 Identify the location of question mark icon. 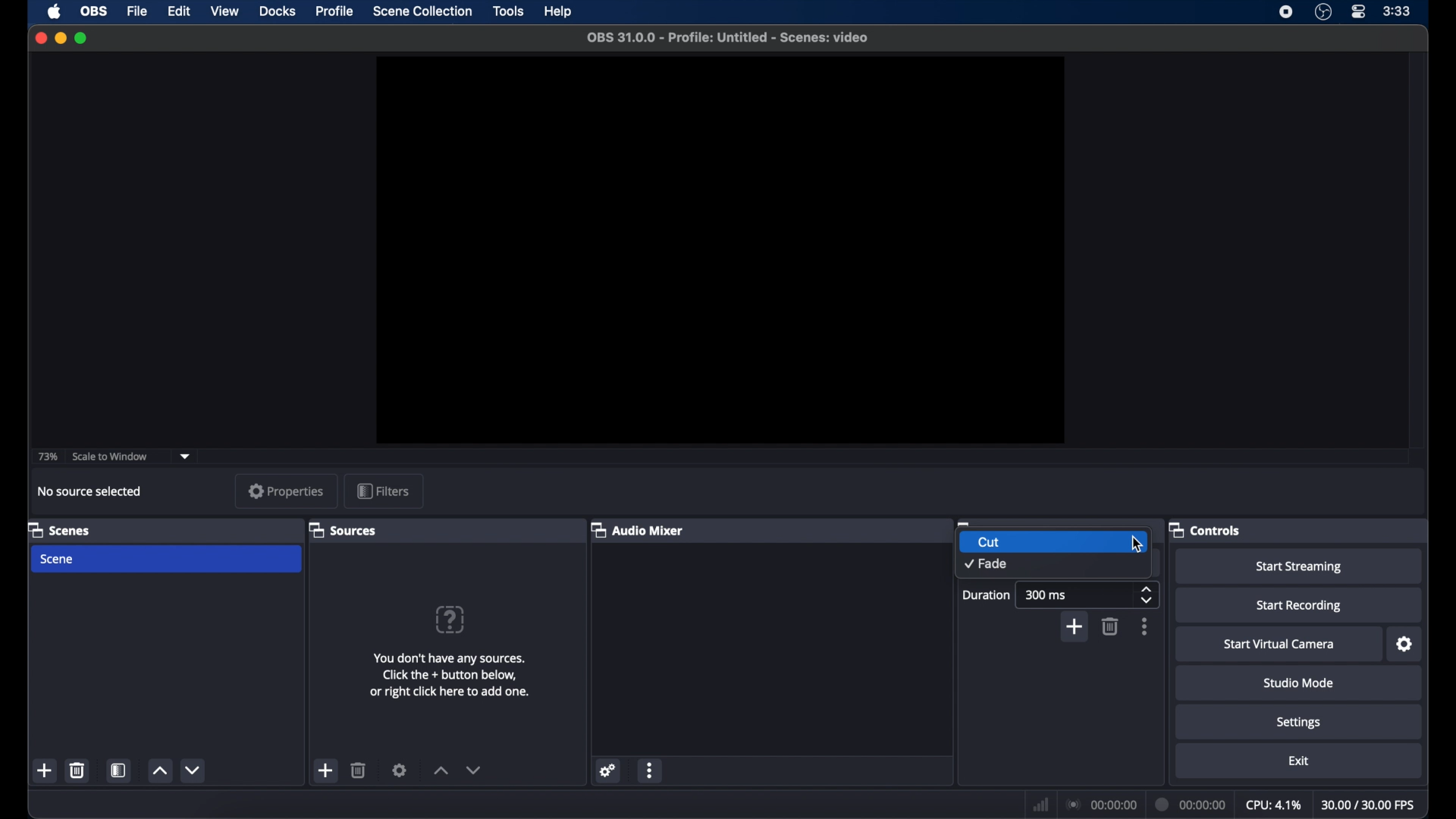
(451, 619).